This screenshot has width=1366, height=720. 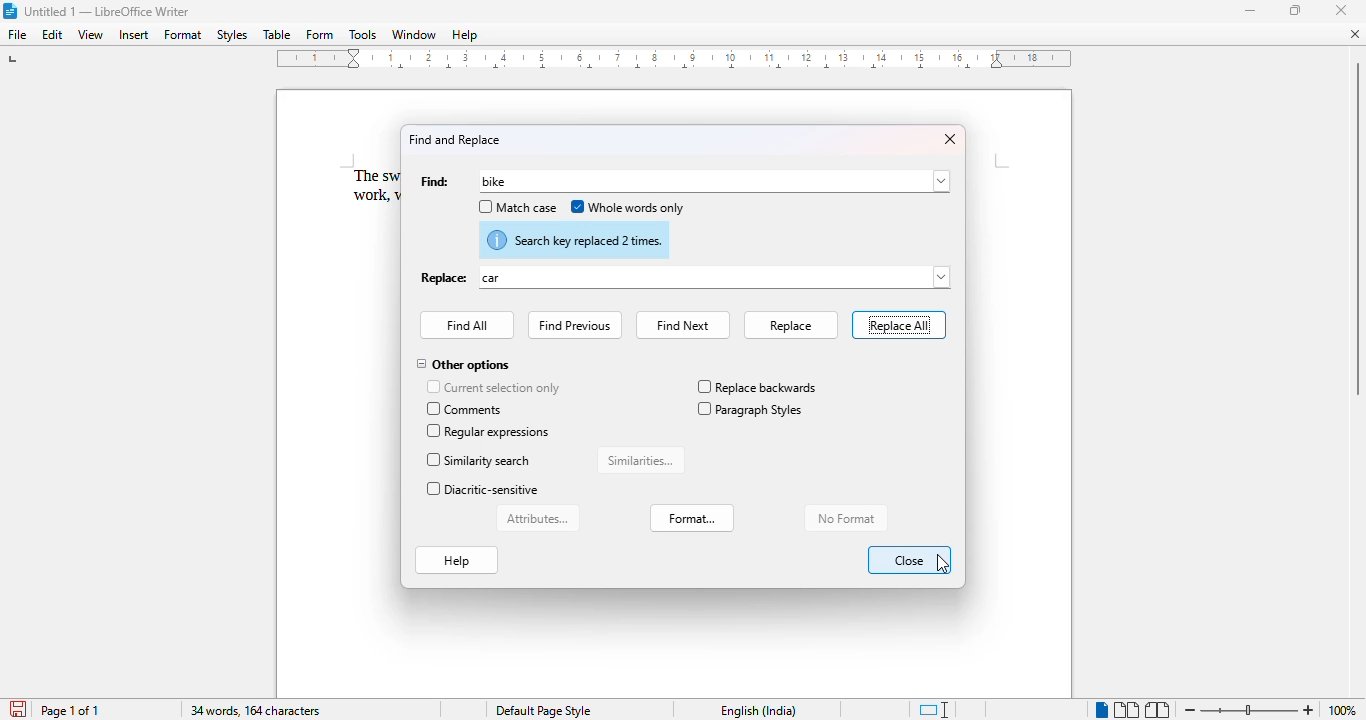 What do you see at coordinates (575, 238) in the screenshot?
I see `search key replaced 2 times` at bounding box center [575, 238].